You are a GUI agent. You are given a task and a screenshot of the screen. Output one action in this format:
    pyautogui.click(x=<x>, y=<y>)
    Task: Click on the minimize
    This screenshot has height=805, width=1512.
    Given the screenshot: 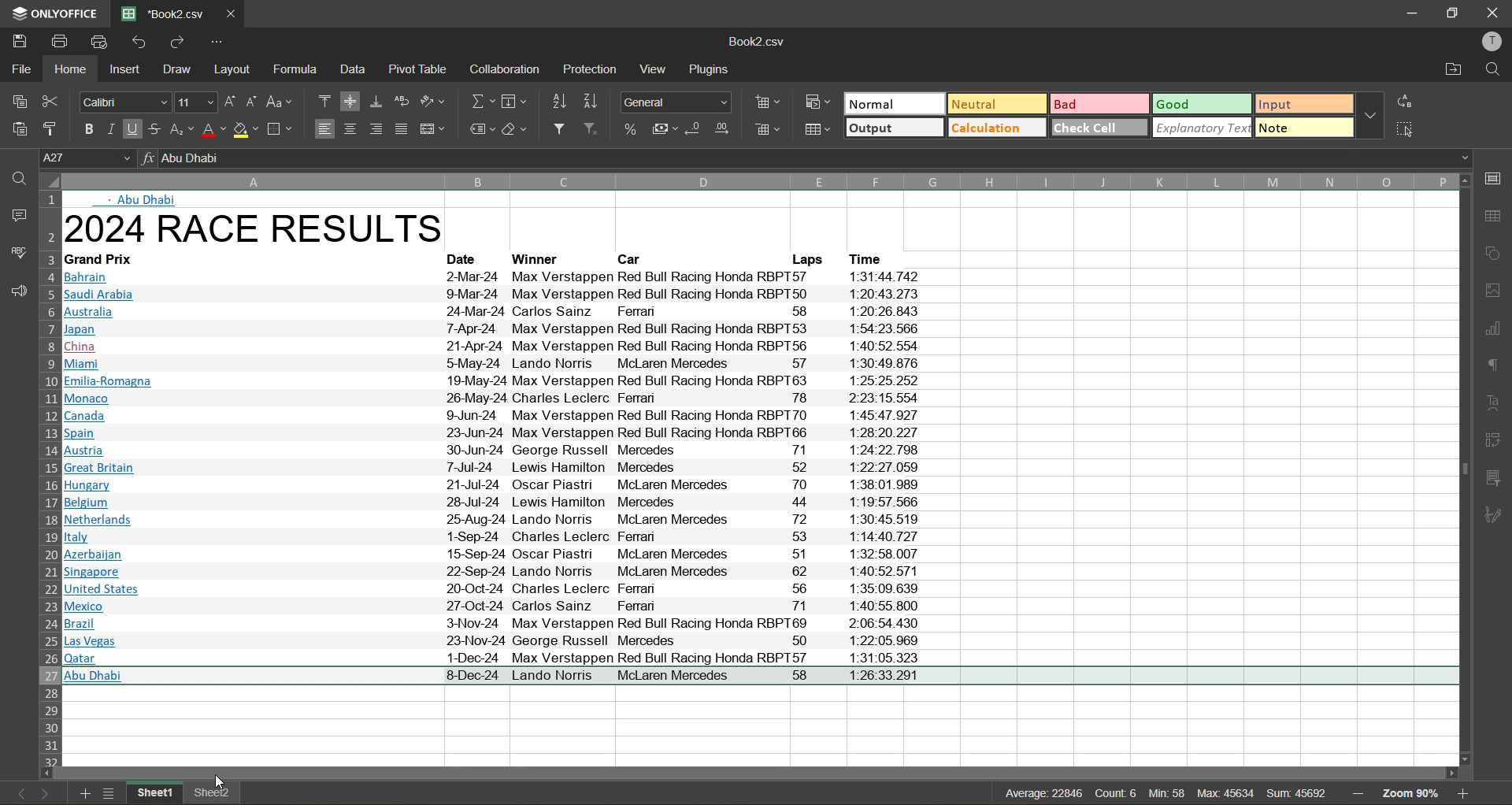 What is the action you would take?
    pyautogui.click(x=1410, y=12)
    